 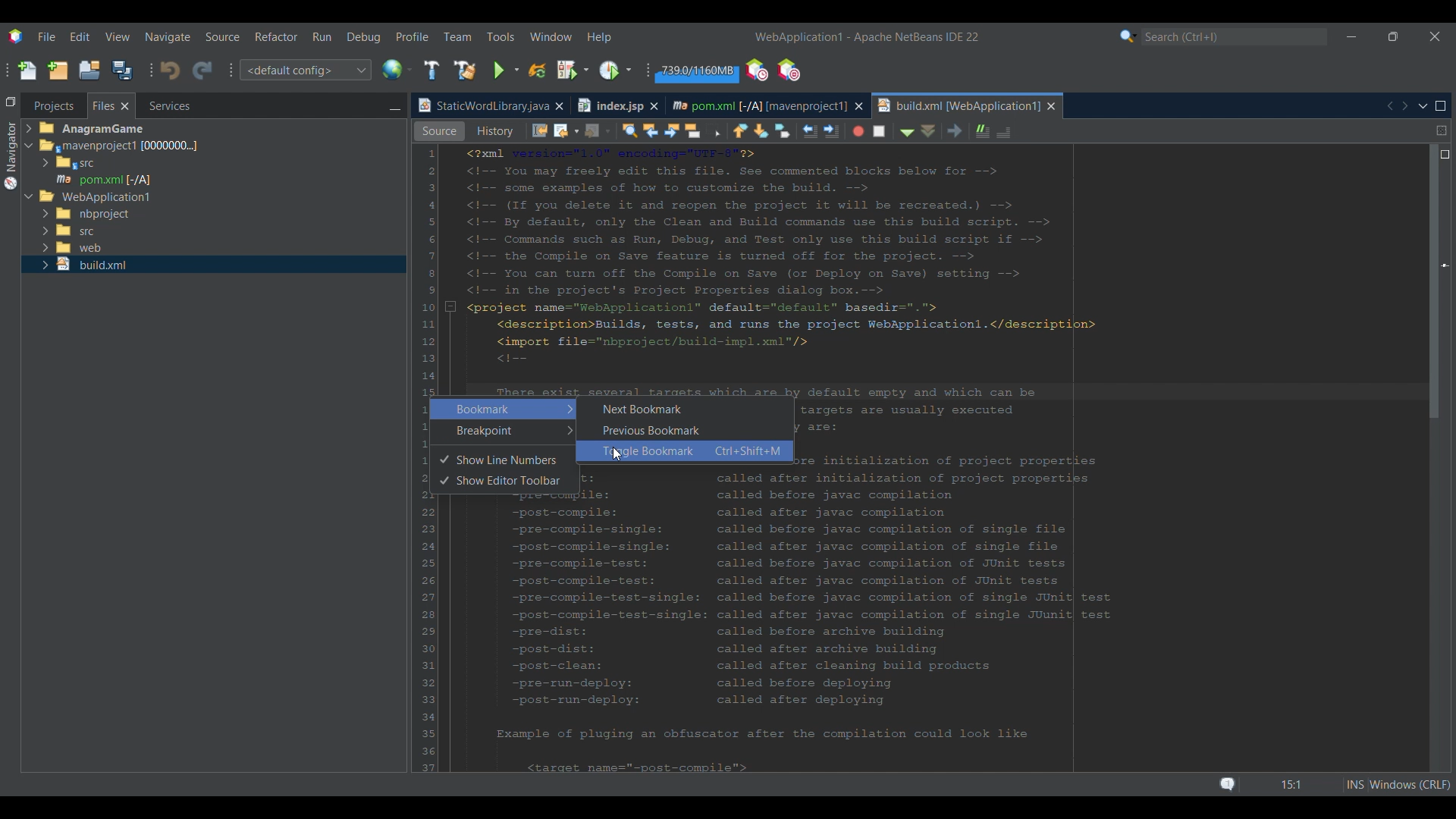 What do you see at coordinates (697, 73) in the screenshot?
I see `Garbage collection amount changed` at bounding box center [697, 73].